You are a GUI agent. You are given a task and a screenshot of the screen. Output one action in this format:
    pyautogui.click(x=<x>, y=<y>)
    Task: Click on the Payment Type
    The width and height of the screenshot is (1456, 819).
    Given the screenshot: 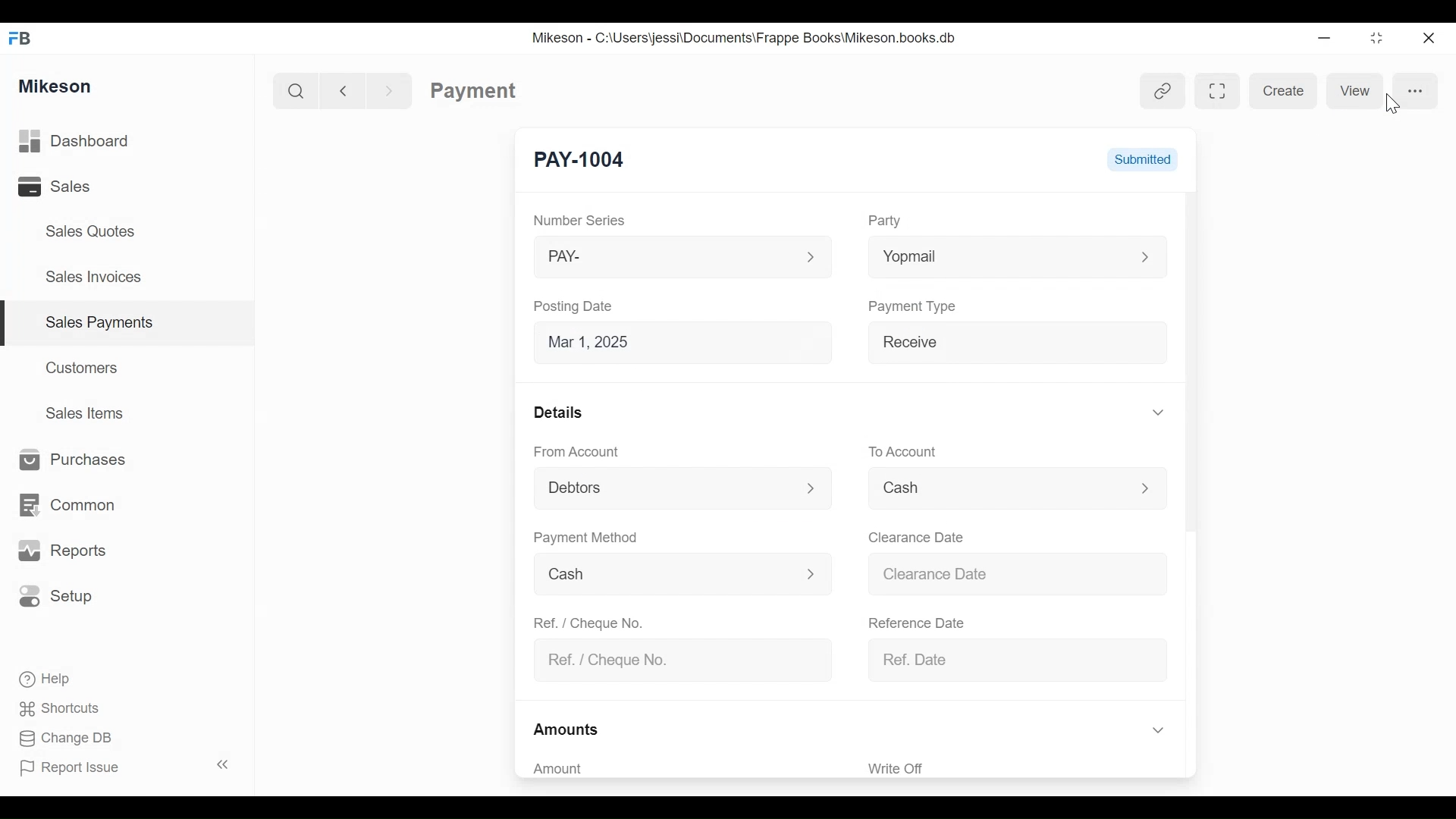 What is the action you would take?
    pyautogui.click(x=921, y=312)
    